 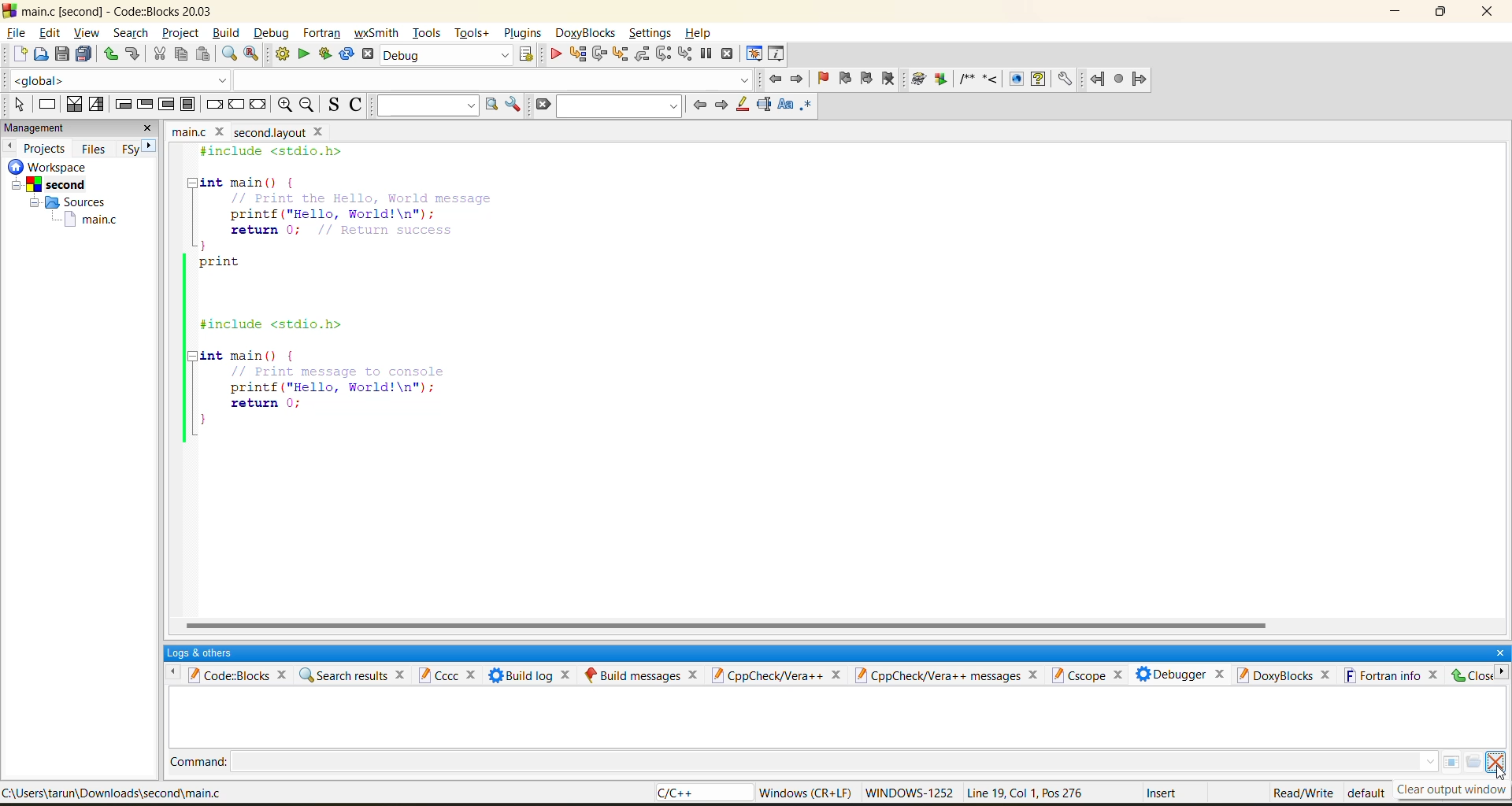 I want to click on doxyblocks, so click(x=586, y=31).